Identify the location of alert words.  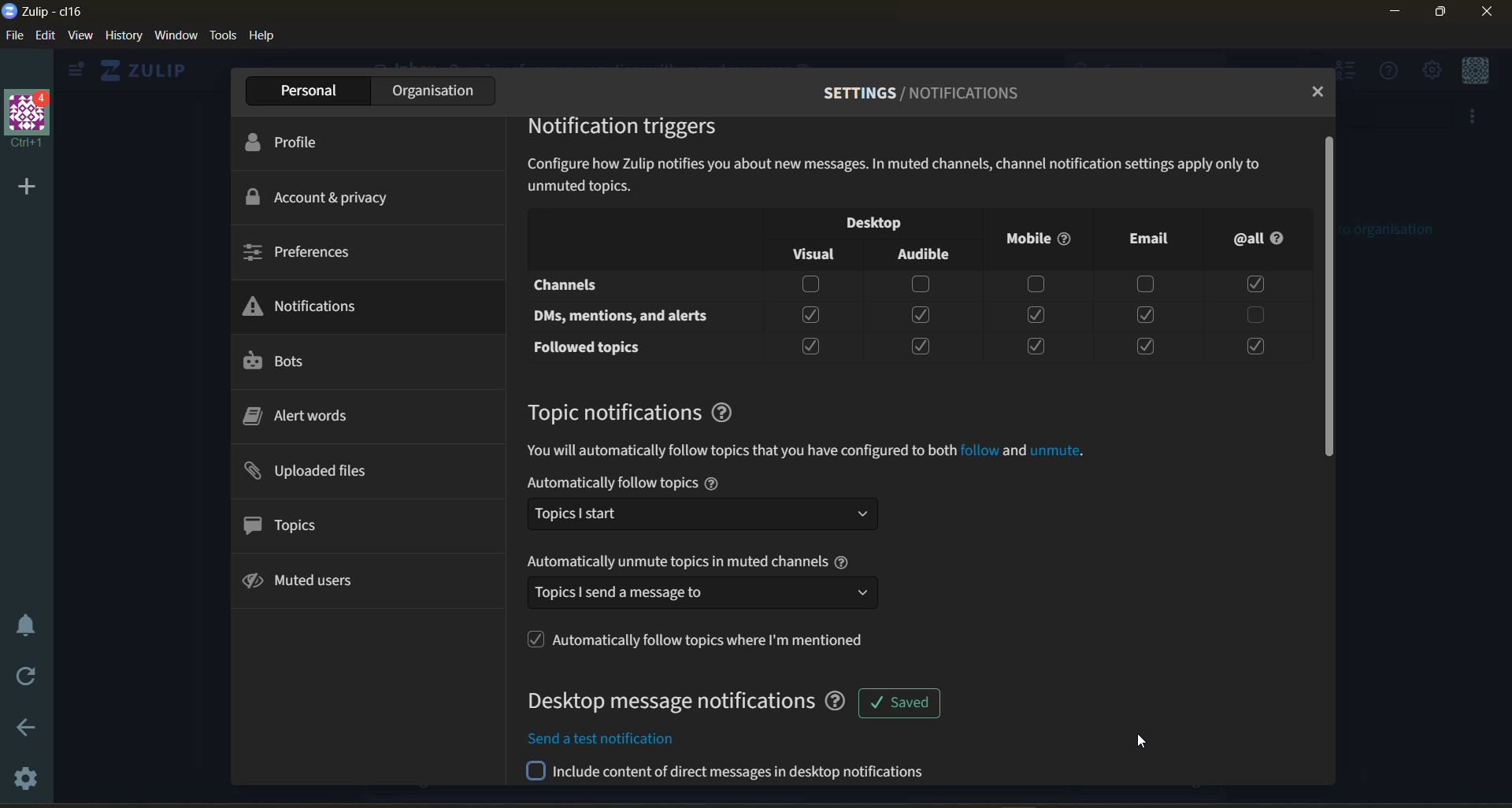
(307, 414).